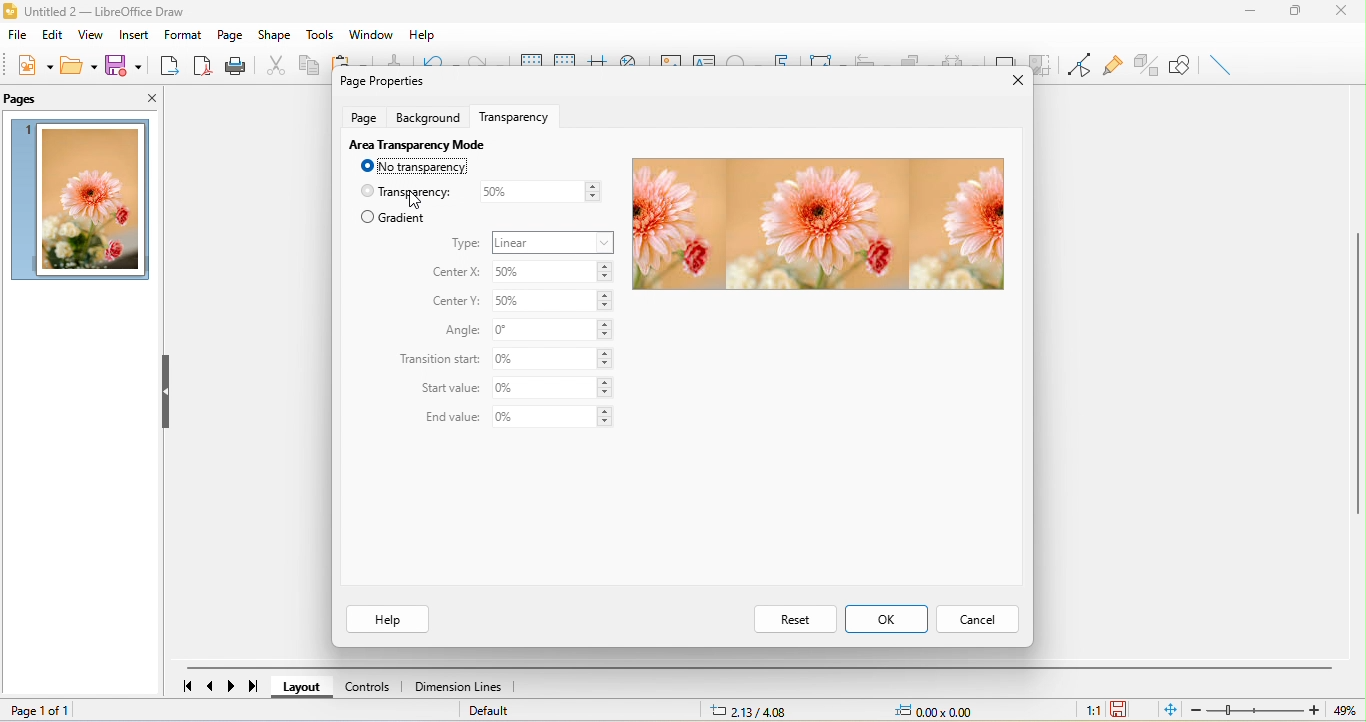 The height and width of the screenshot is (722, 1366). Describe the element at coordinates (555, 273) in the screenshot. I see `50%` at that location.